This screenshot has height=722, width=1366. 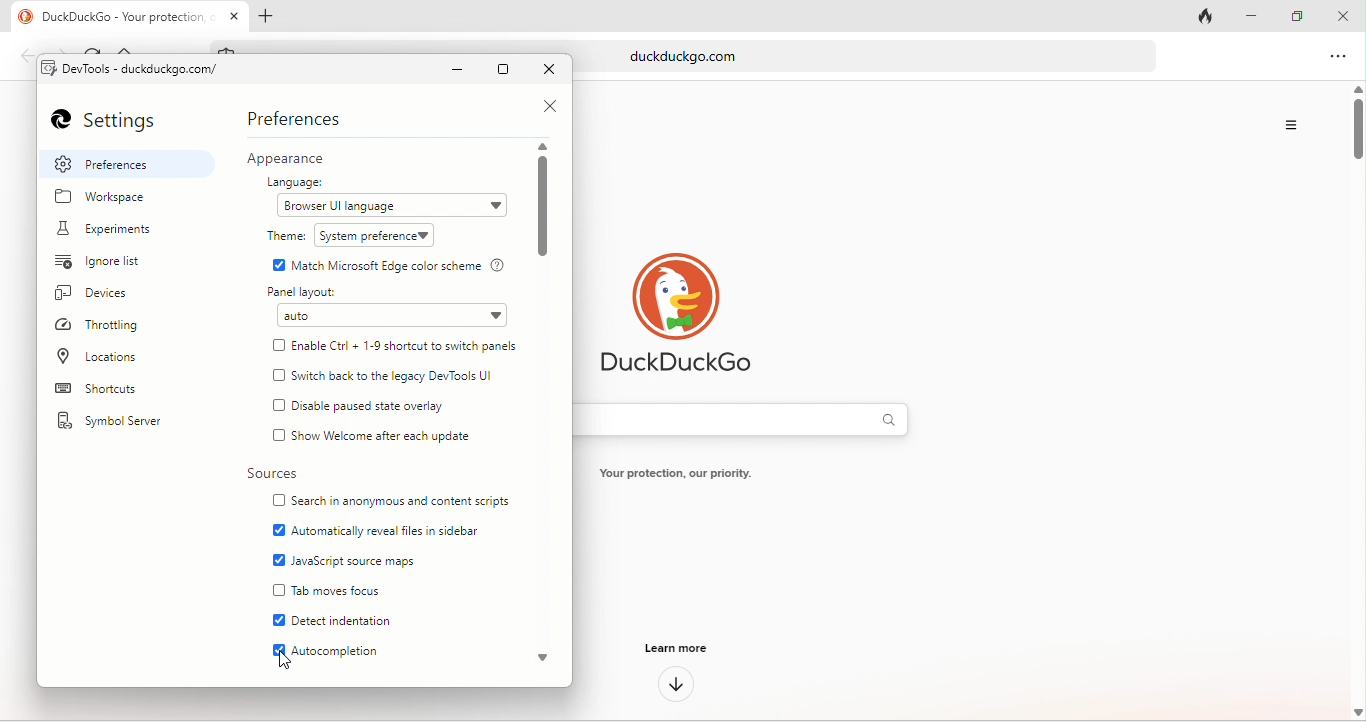 I want to click on vertical scroll bar, so click(x=1357, y=403).